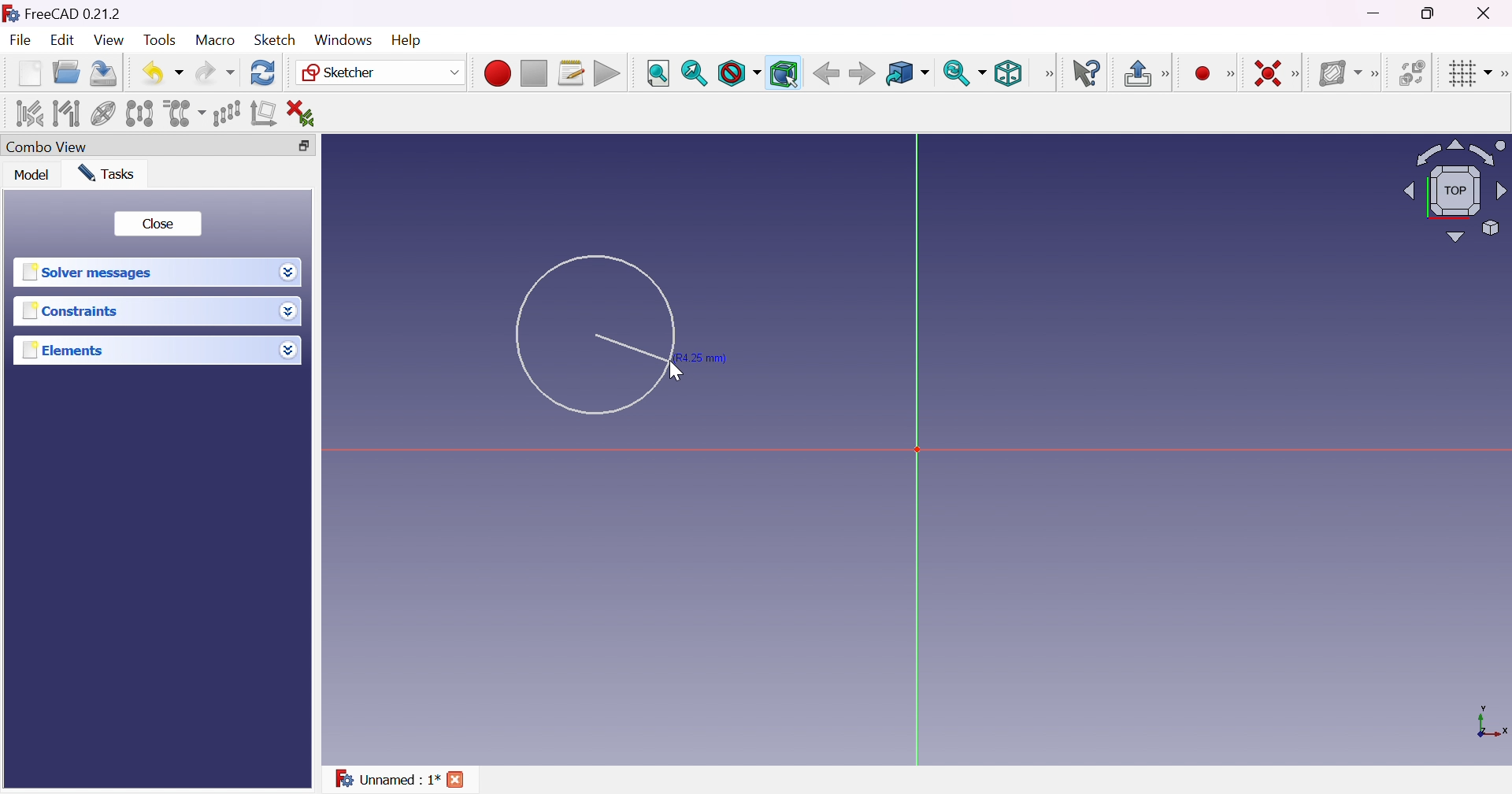 The width and height of the screenshot is (1512, 794). What do you see at coordinates (608, 74) in the screenshot?
I see `Execute macro` at bounding box center [608, 74].